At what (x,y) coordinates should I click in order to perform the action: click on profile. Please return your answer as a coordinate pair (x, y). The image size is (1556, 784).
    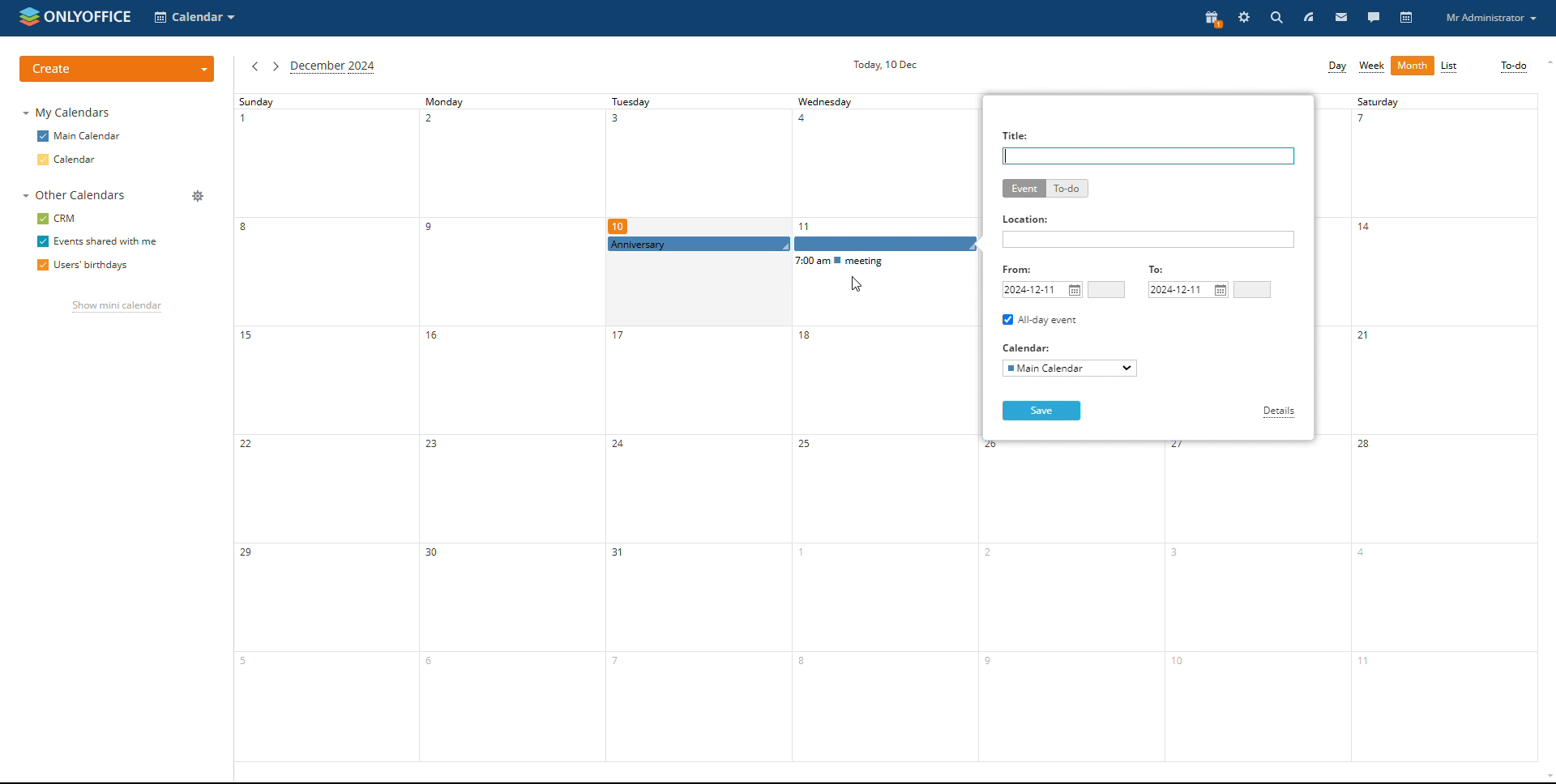
    Looking at the image, I should click on (1493, 18).